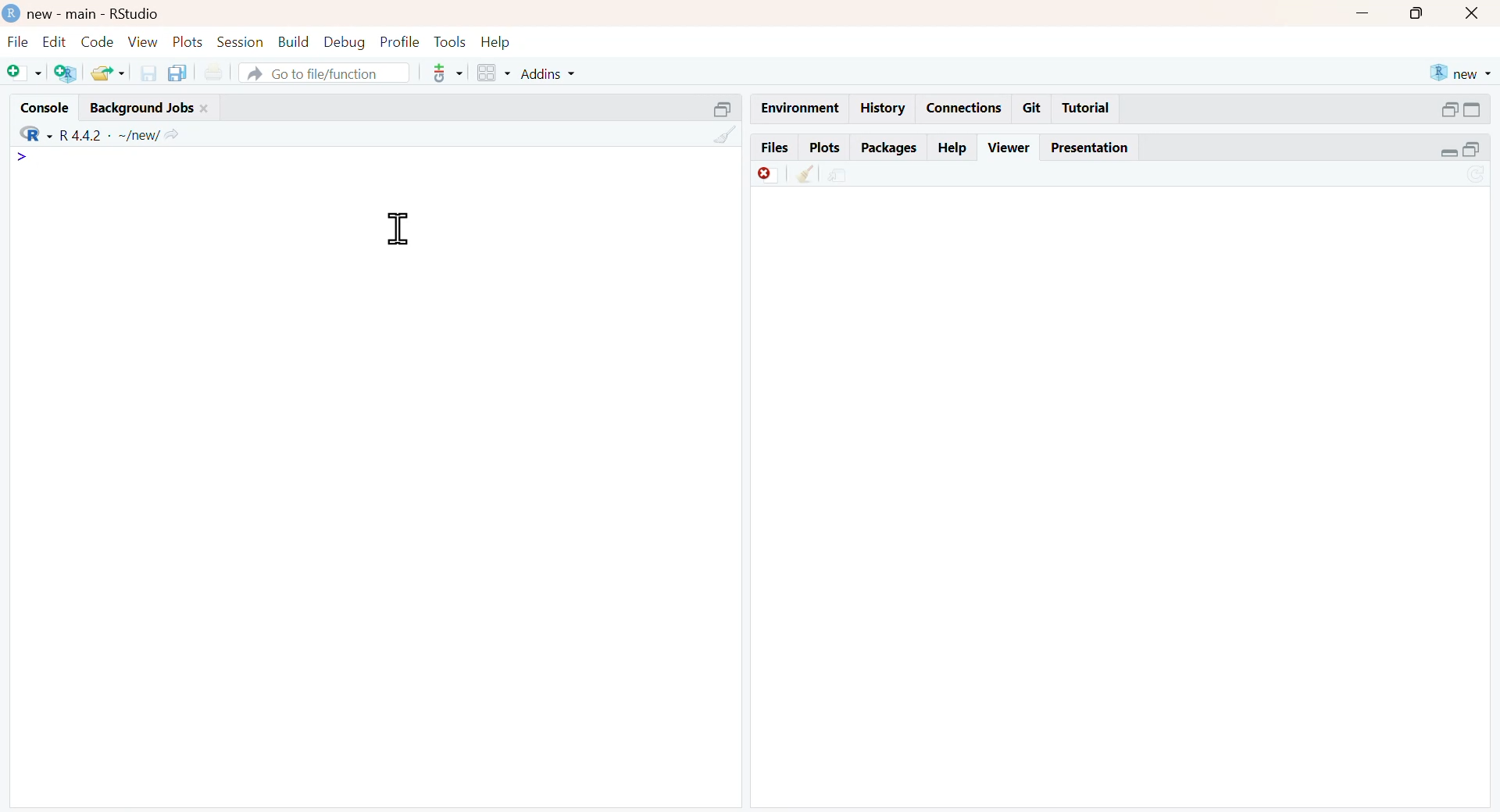 The height and width of the screenshot is (812, 1500). I want to click on Addins +, so click(548, 74).